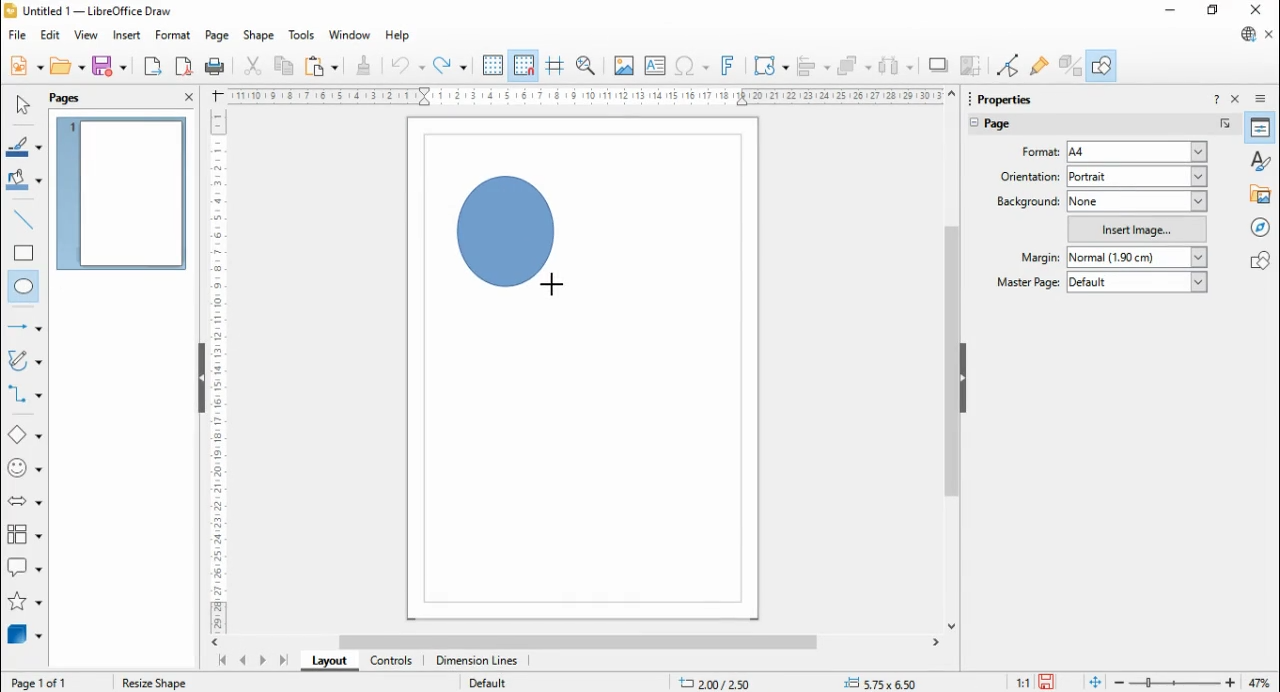  What do you see at coordinates (1137, 201) in the screenshot?
I see `none` at bounding box center [1137, 201].